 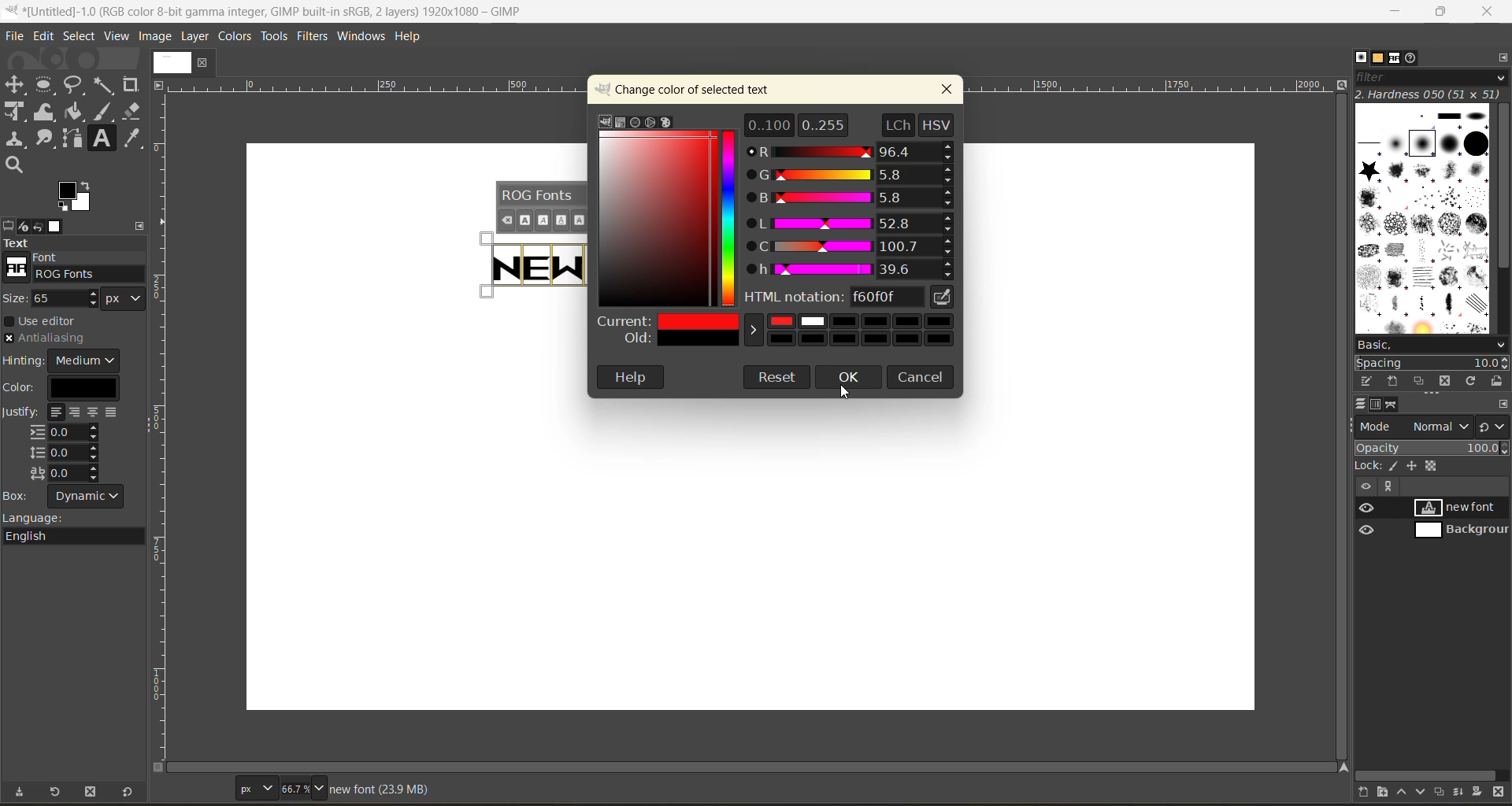 What do you see at coordinates (1365, 486) in the screenshot?
I see `hide` at bounding box center [1365, 486].